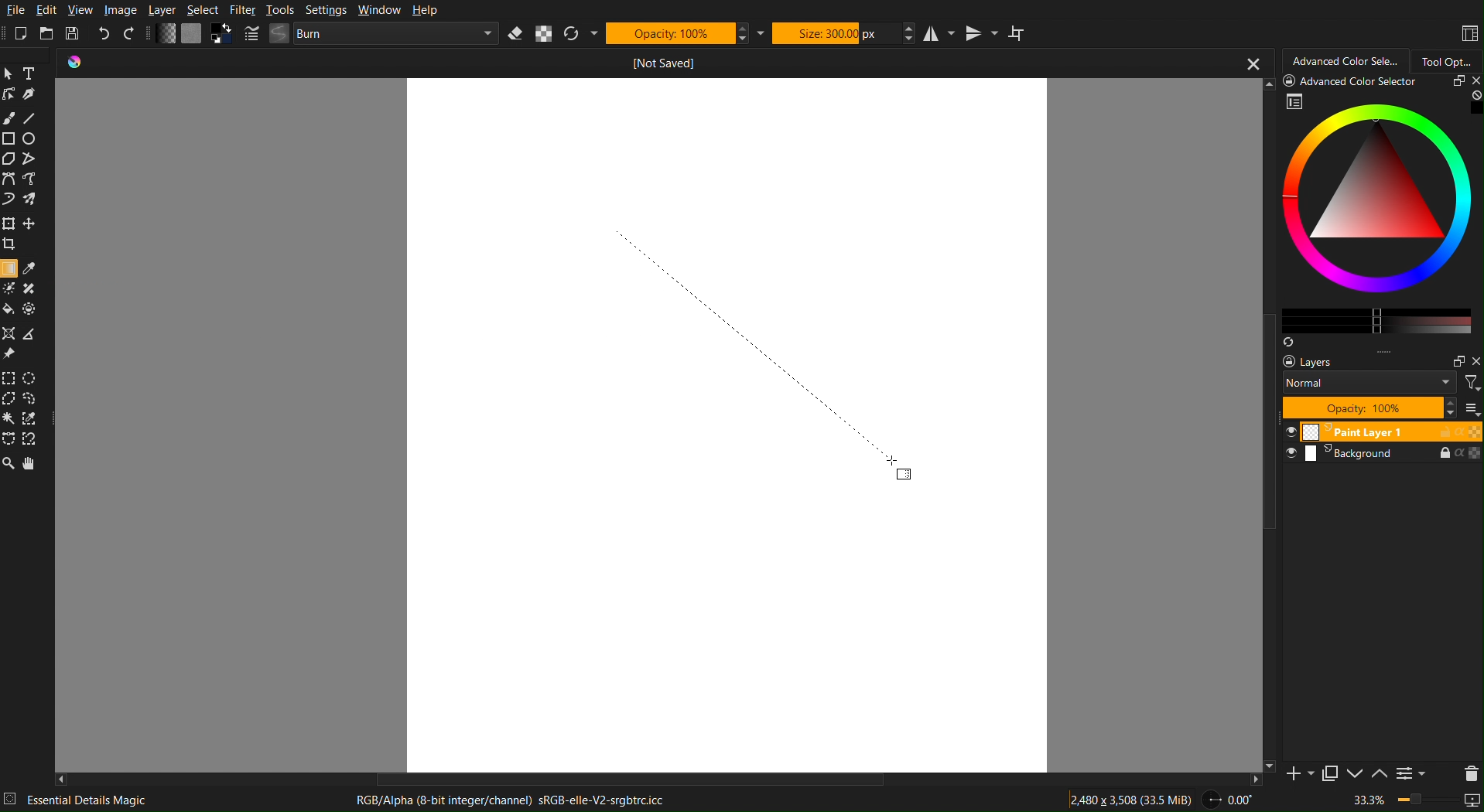  I want to click on Redo, so click(132, 35).